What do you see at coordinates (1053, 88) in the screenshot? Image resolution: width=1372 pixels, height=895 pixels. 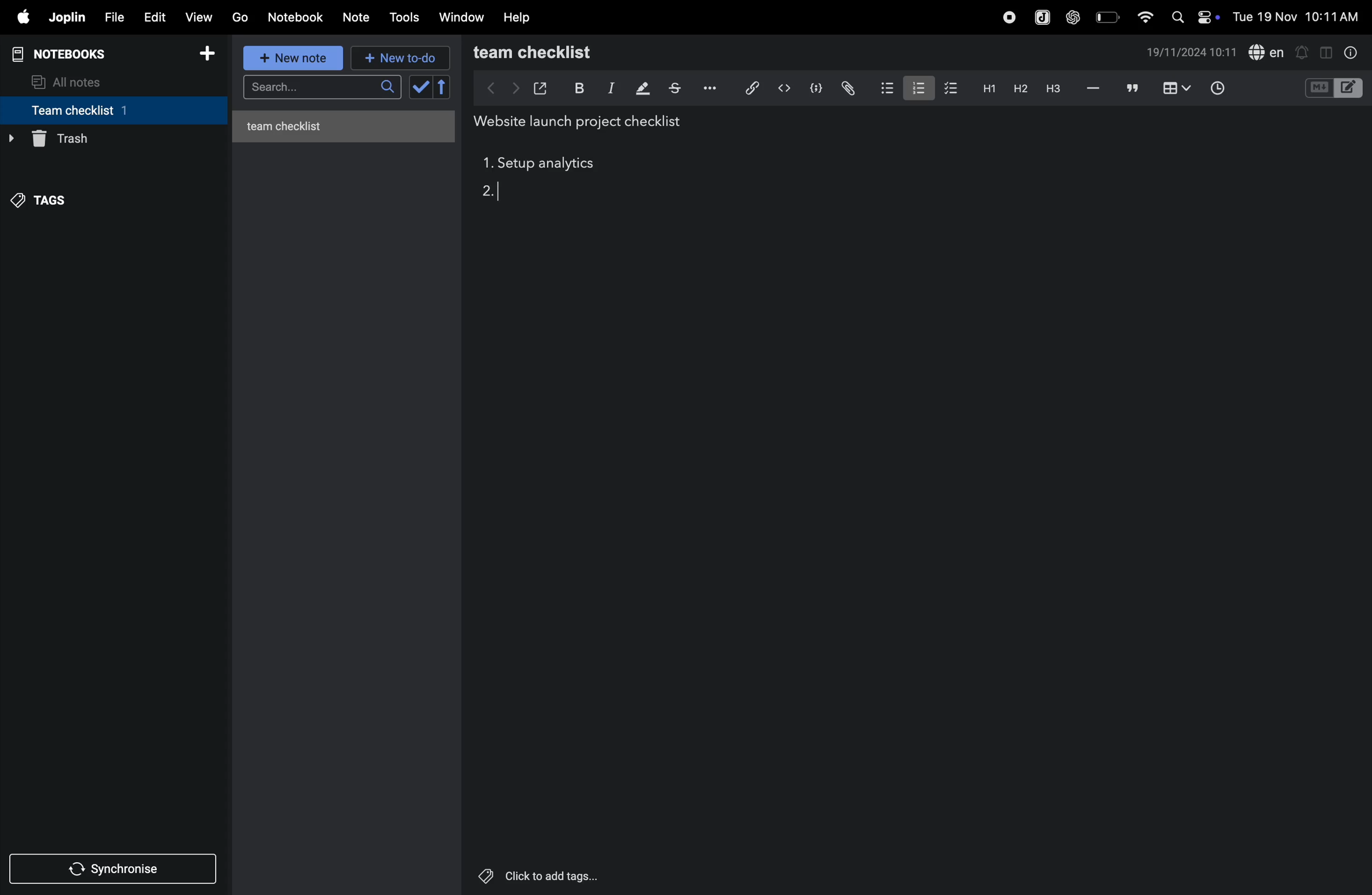 I see `heading 3` at bounding box center [1053, 88].